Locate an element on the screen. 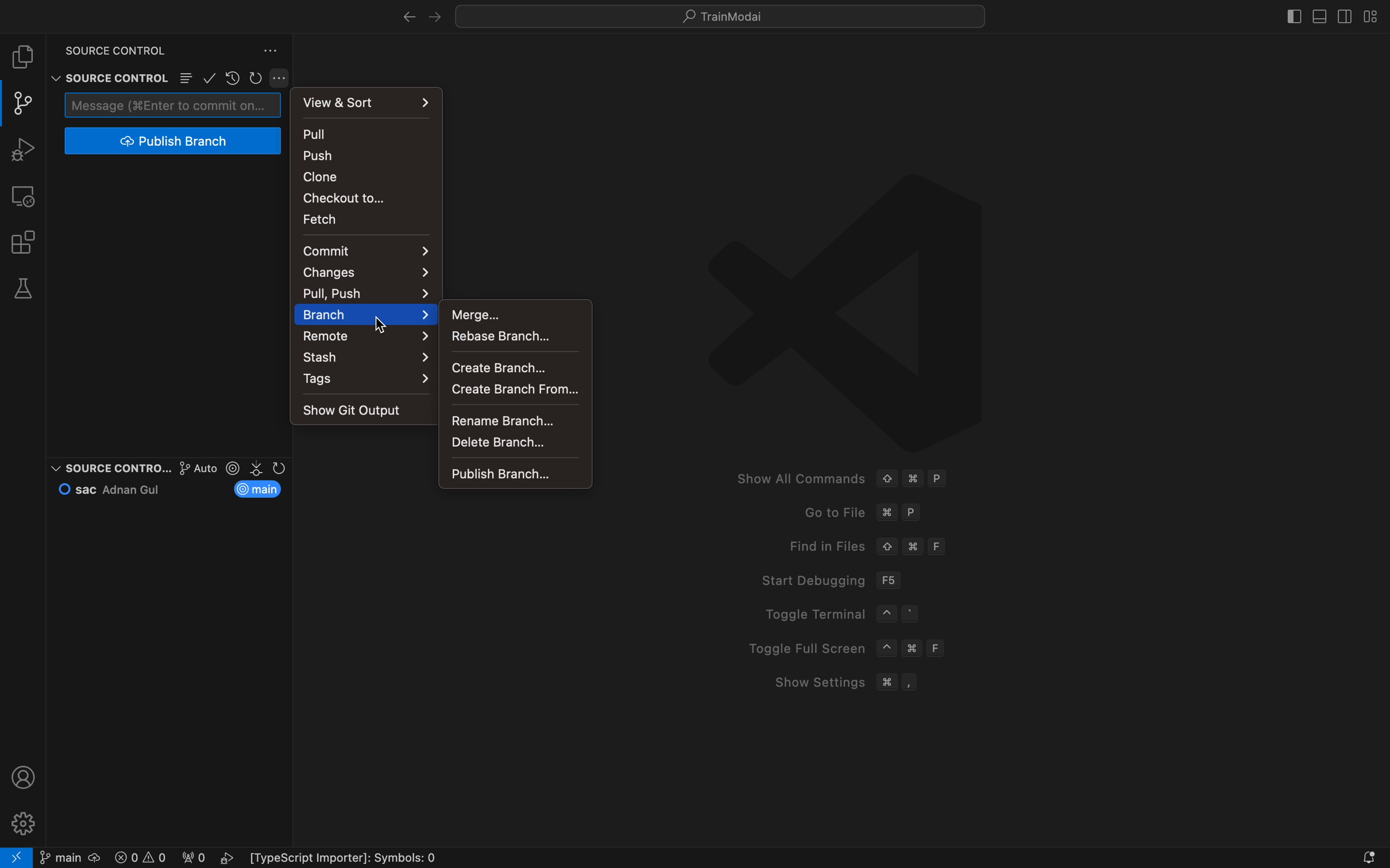 The width and height of the screenshot is (1390, 868). Notifications  is located at coordinates (1369, 857).